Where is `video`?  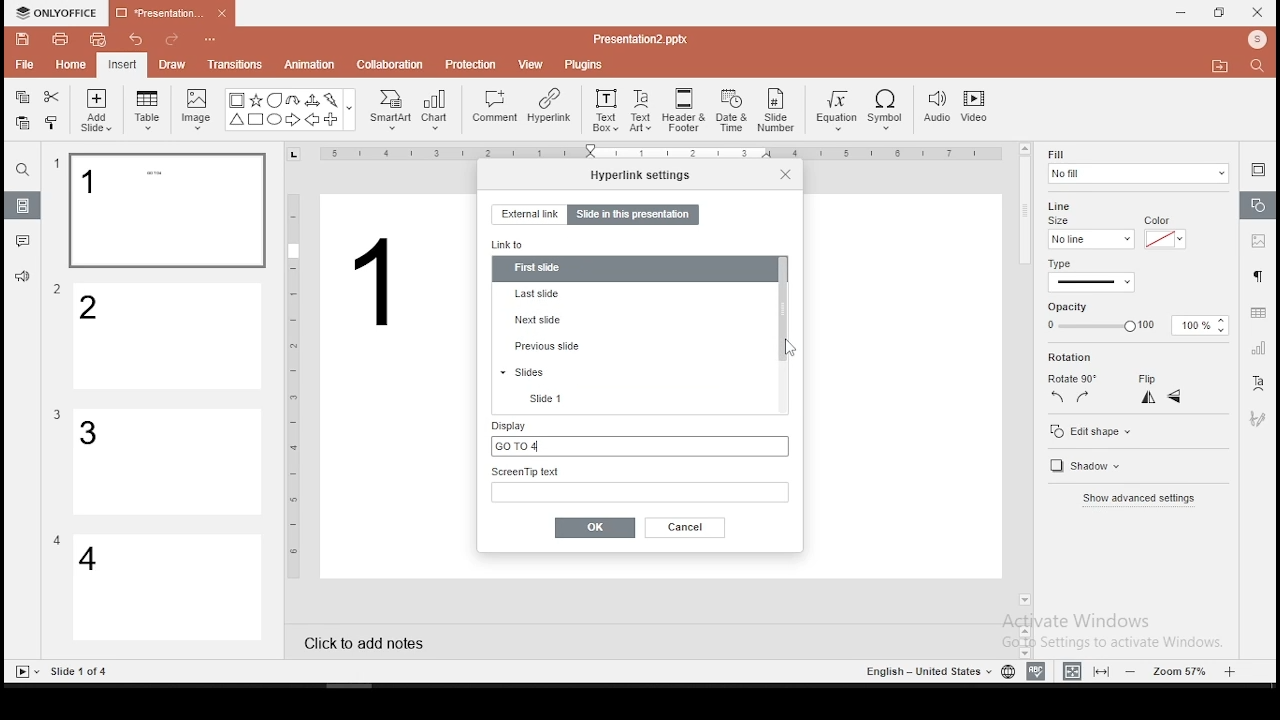 video is located at coordinates (974, 109).